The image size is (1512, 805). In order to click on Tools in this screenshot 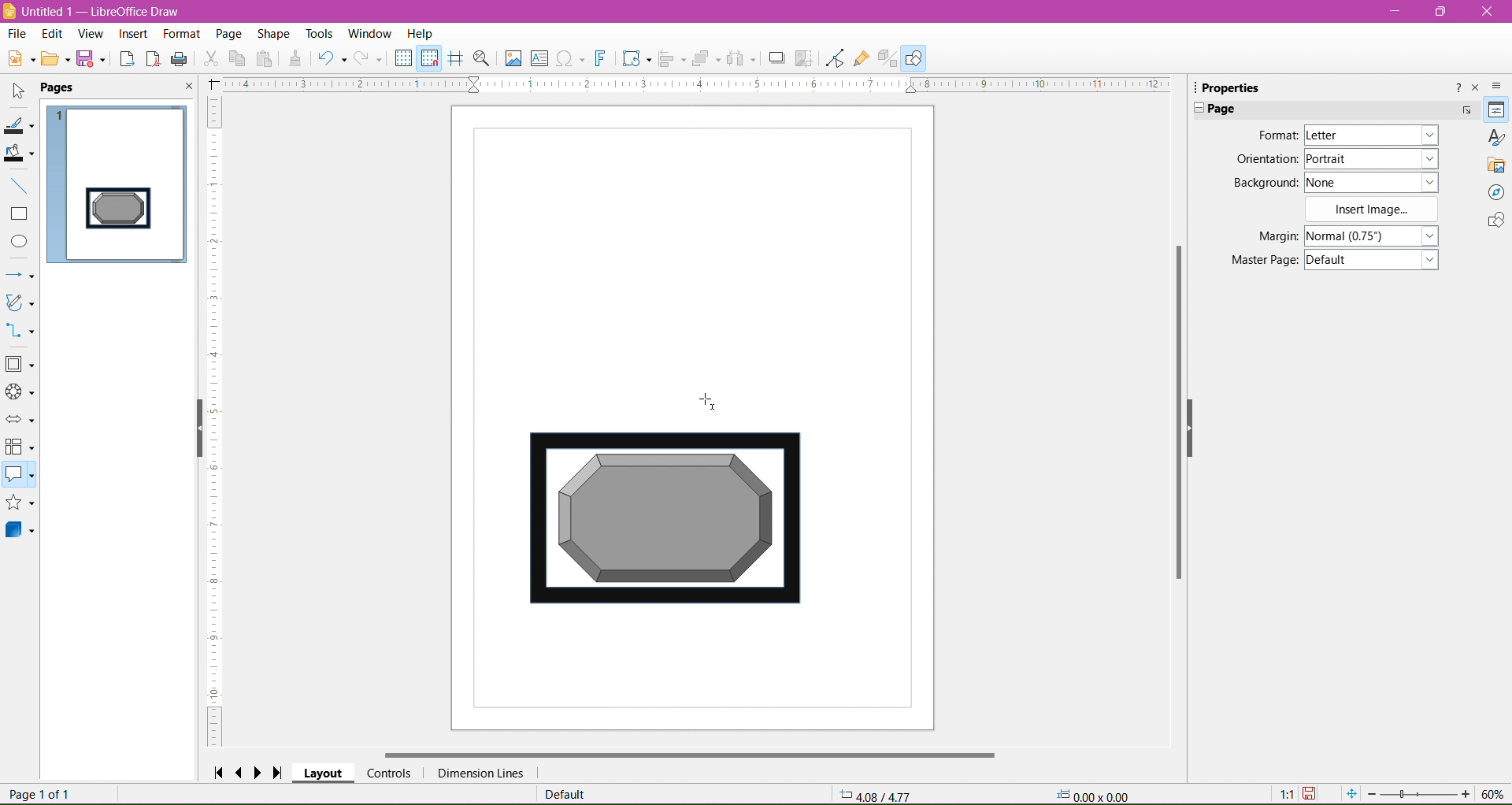, I will do `click(314, 32)`.